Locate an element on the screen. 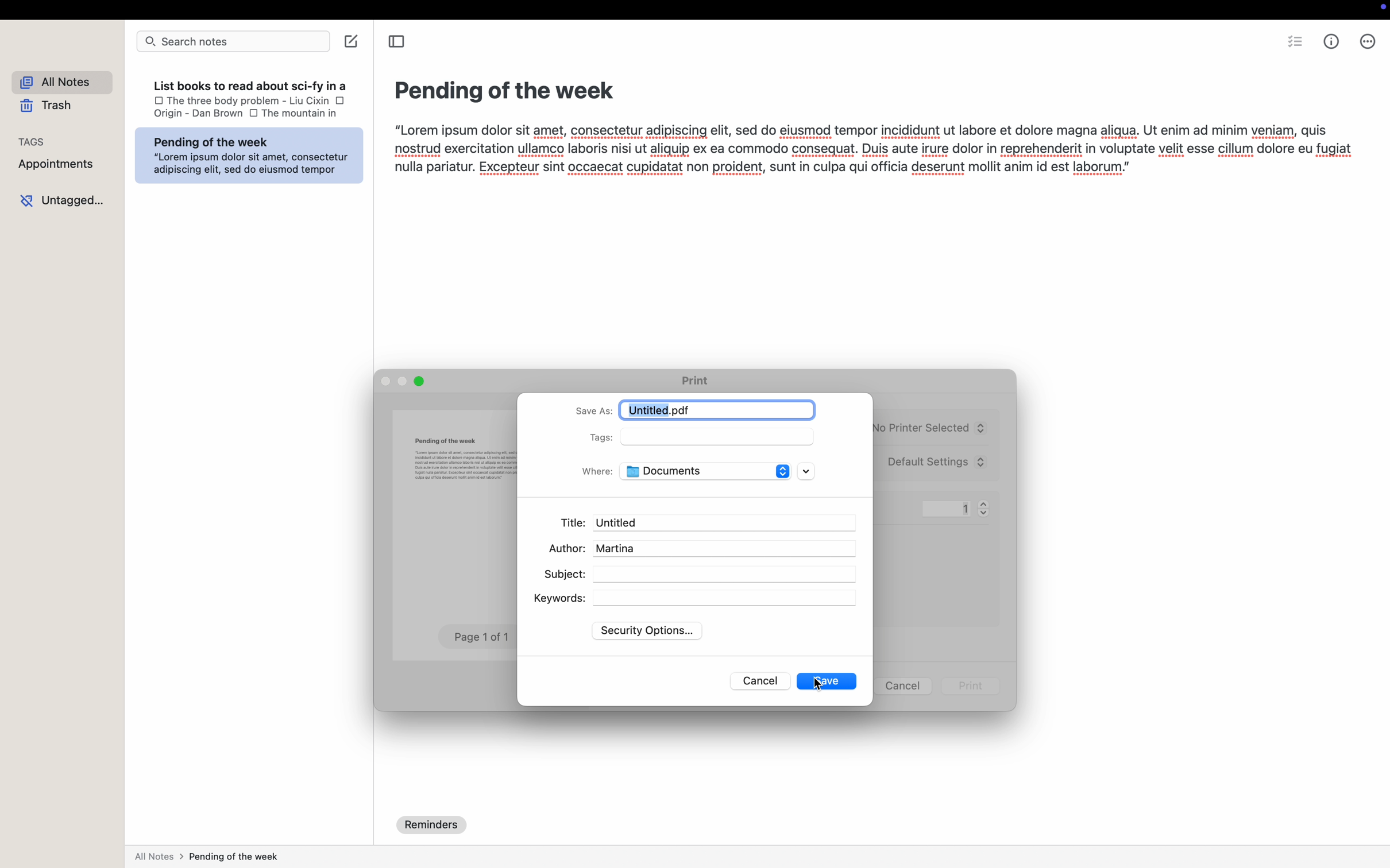  Pending of the week

BE a pr——
cite ors drs og ca Lr an
notot rctaton aes sar et ho oc o8 8
his te or tn pratanr spate vt tn
Rout petes: Eceps ocak MMR
ln ul tt esr ml ne 1 ot hou’ is located at coordinates (451, 460).